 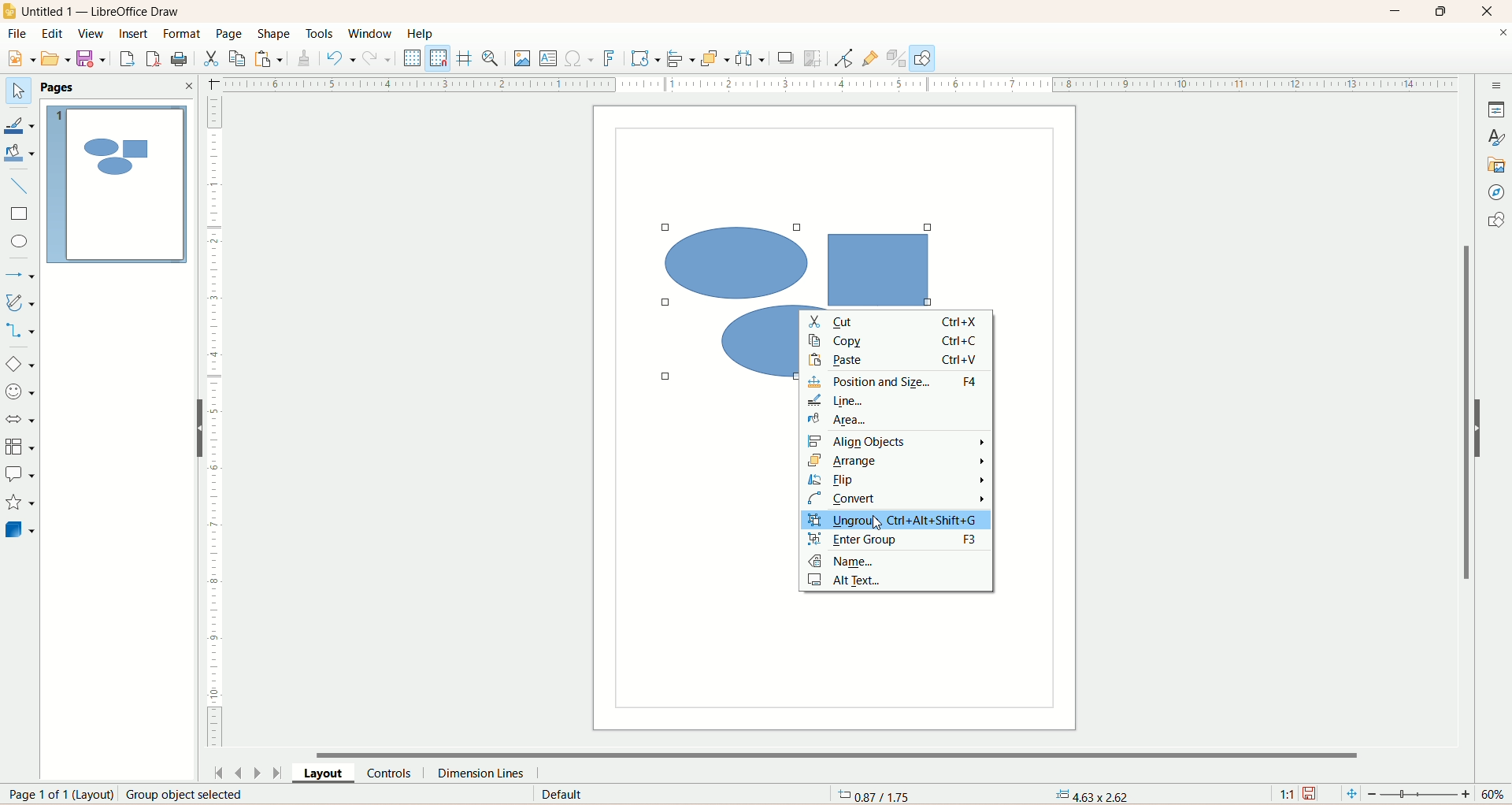 What do you see at coordinates (714, 60) in the screenshot?
I see `arrange` at bounding box center [714, 60].